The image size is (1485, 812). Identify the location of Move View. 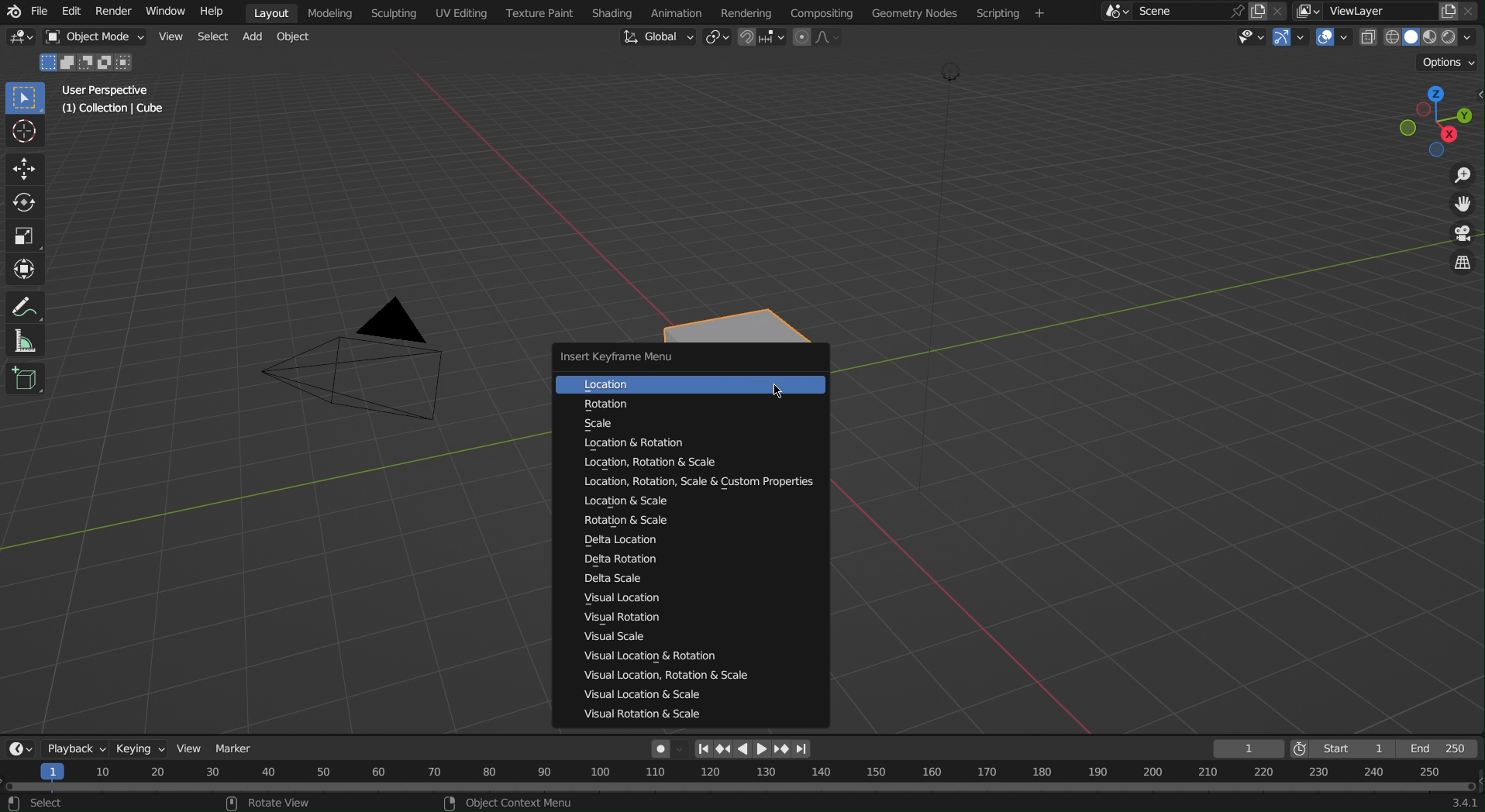
(1461, 205).